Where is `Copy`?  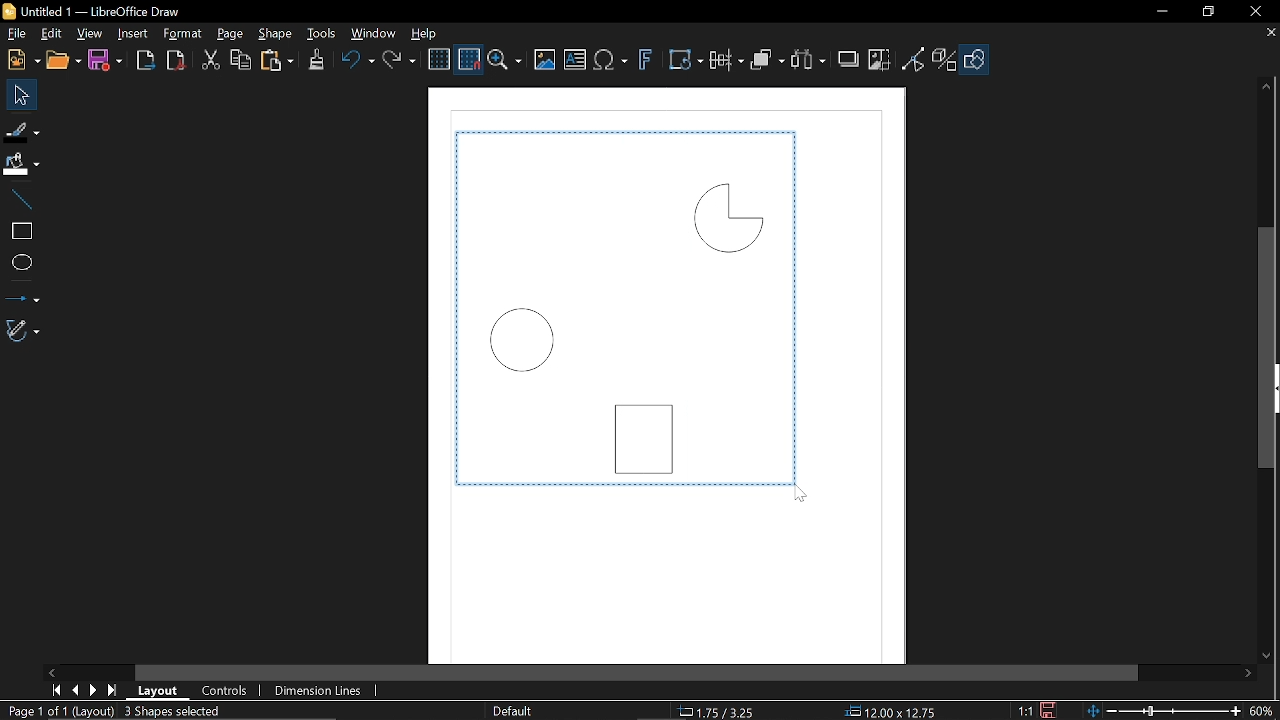 Copy is located at coordinates (243, 60).